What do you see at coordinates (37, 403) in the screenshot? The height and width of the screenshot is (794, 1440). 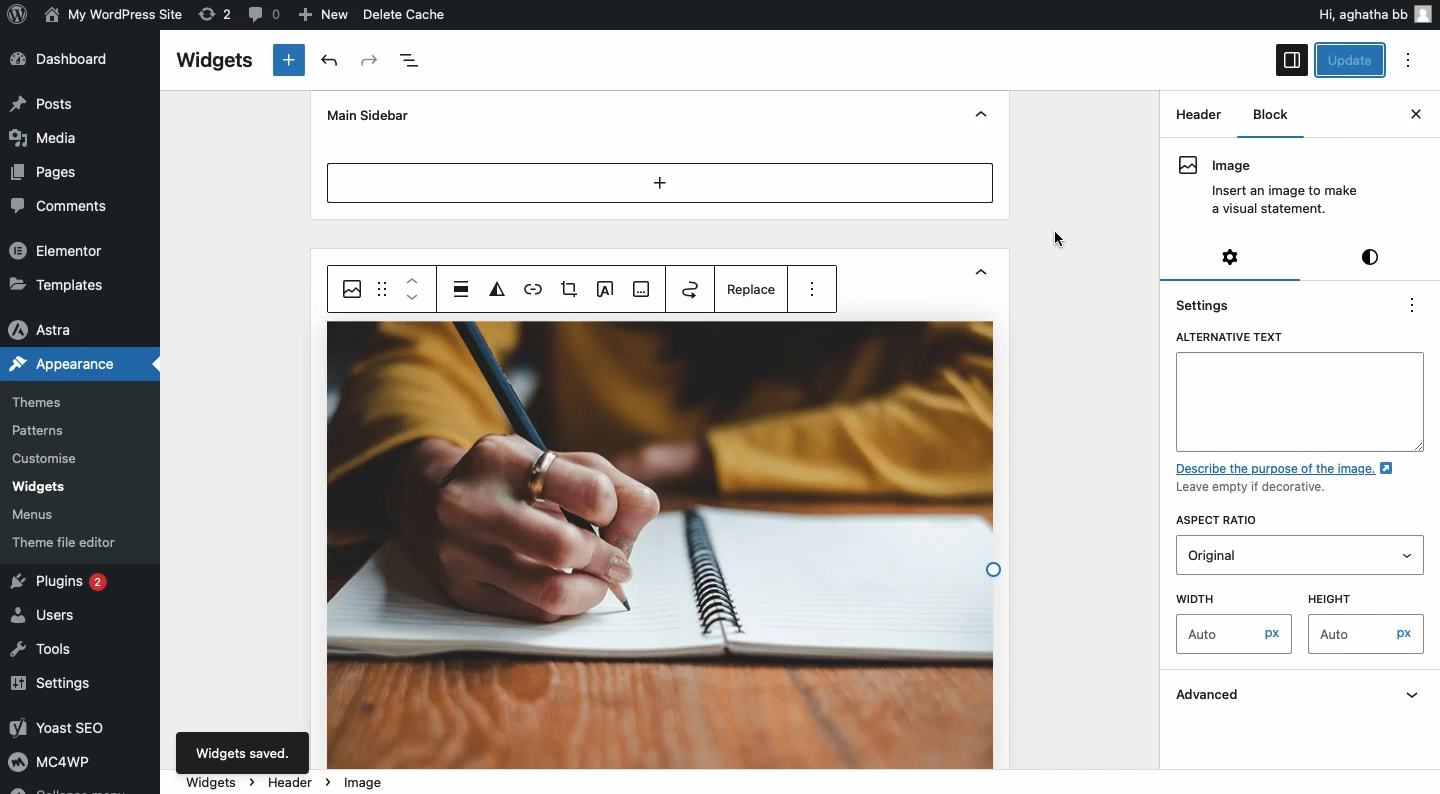 I see `Themes` at bounding box center [37, 403].